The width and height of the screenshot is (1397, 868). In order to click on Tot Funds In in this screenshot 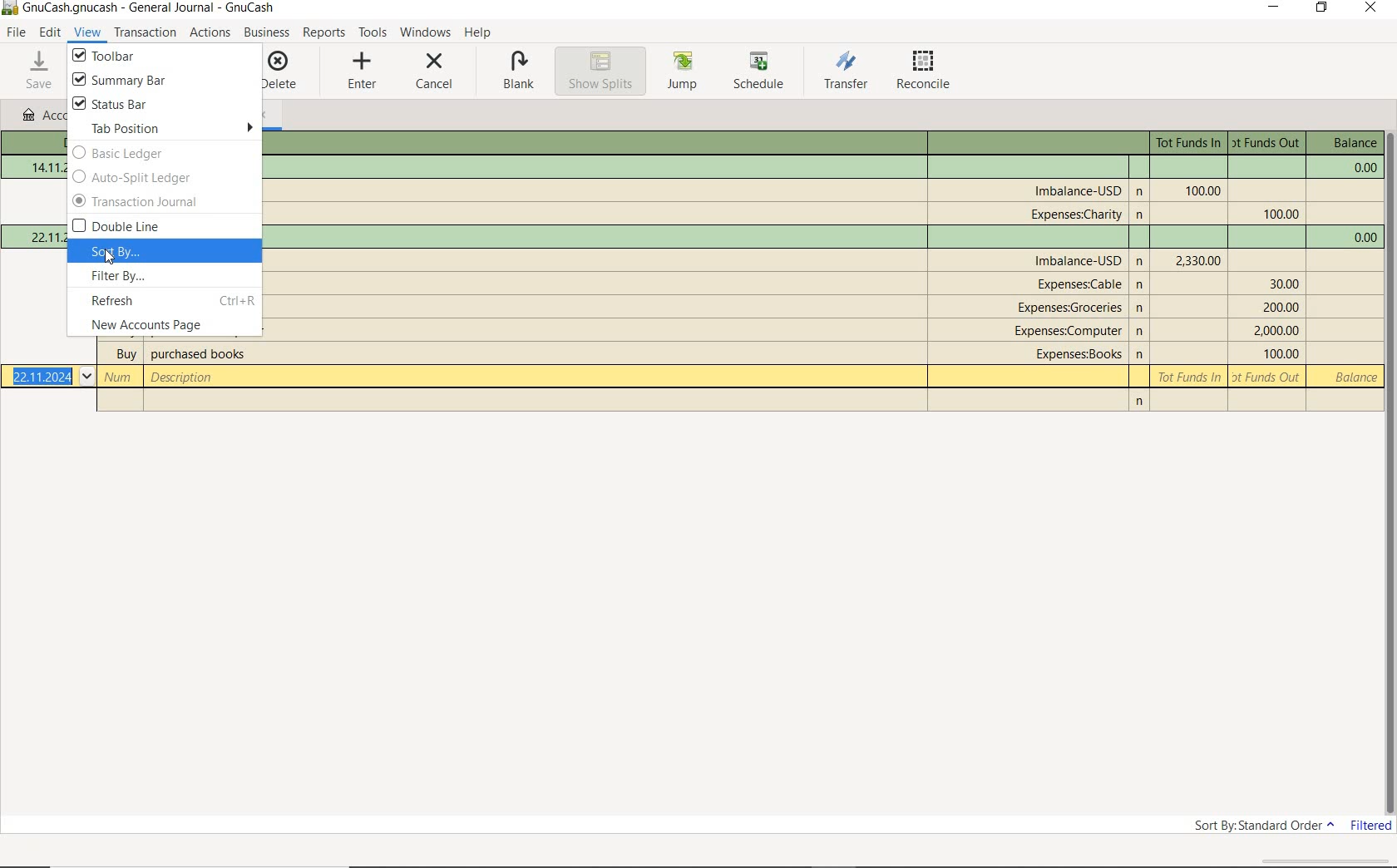, I will do `click(1191, 377)`.